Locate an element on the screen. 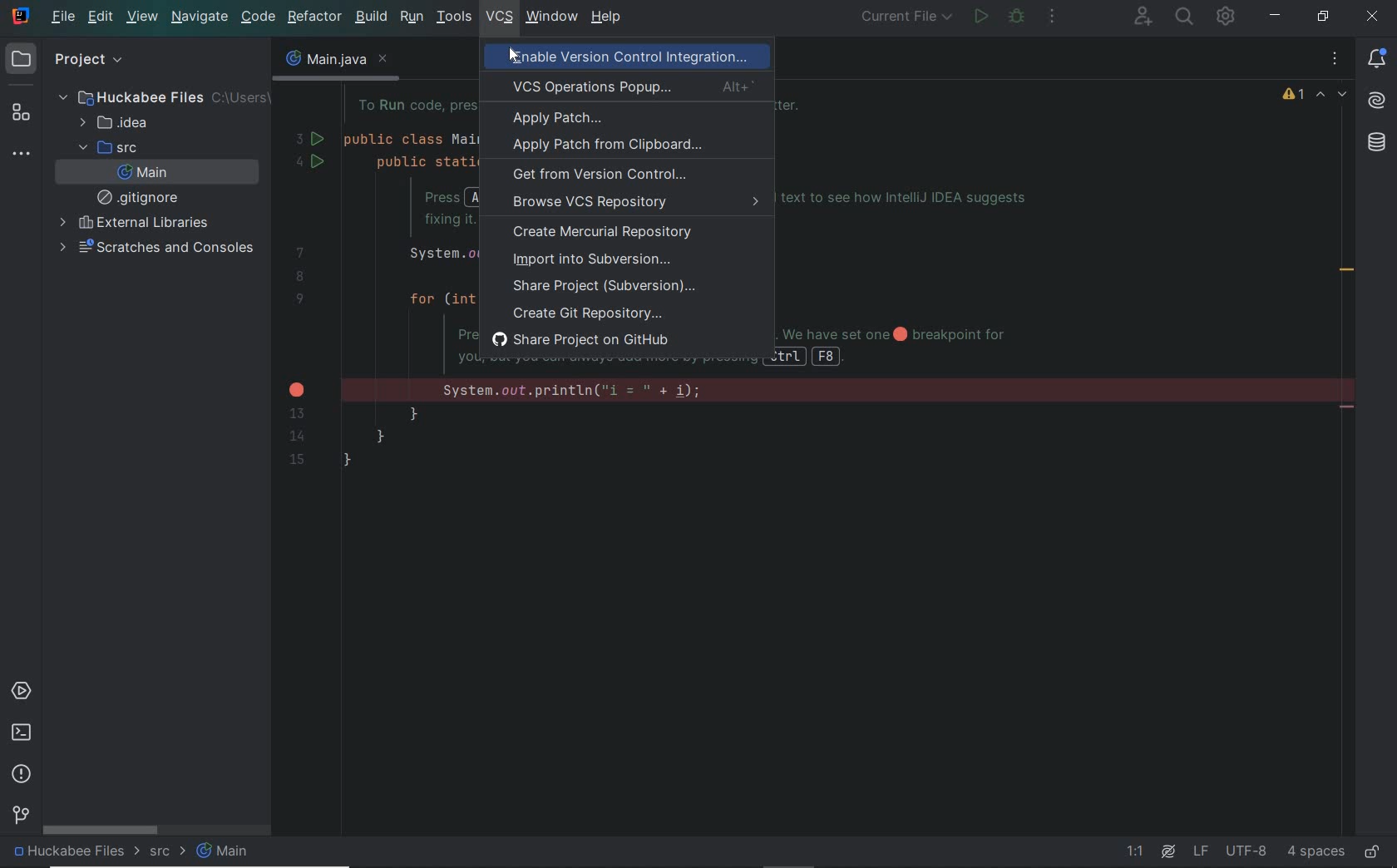 This screenshot has height=868, width=1397. IDE AND PROJECT SETTINGS is located at coordinates (1227, 17).